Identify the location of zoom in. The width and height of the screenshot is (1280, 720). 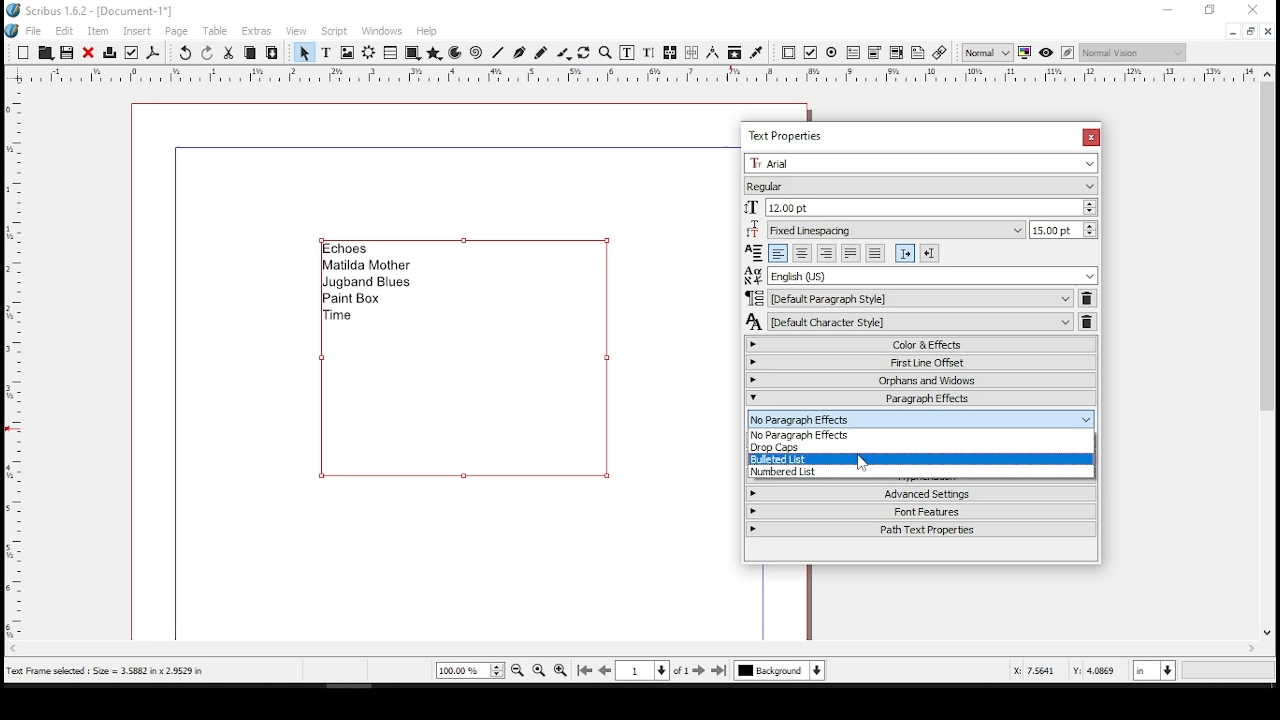
(559, 672).